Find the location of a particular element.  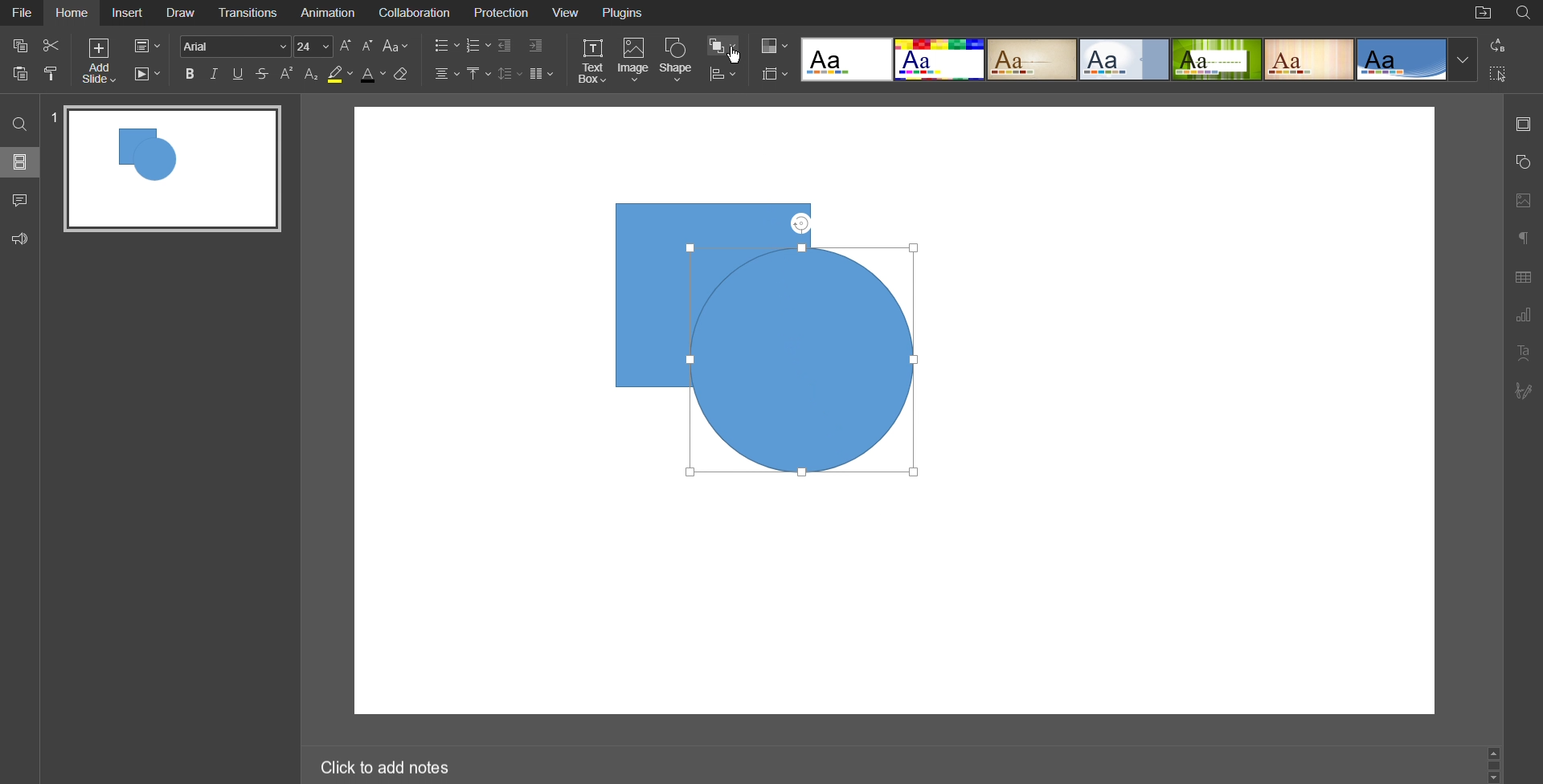

24 is located at coordinates (313, 47).